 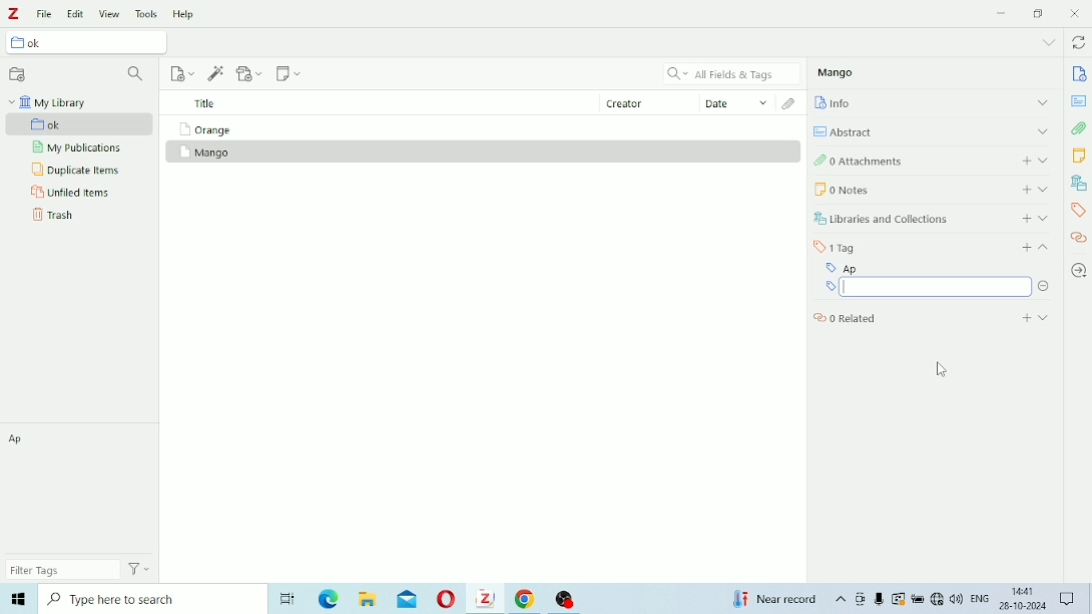 I want to click on Charging, plugged in, so click(x=918, y=599).